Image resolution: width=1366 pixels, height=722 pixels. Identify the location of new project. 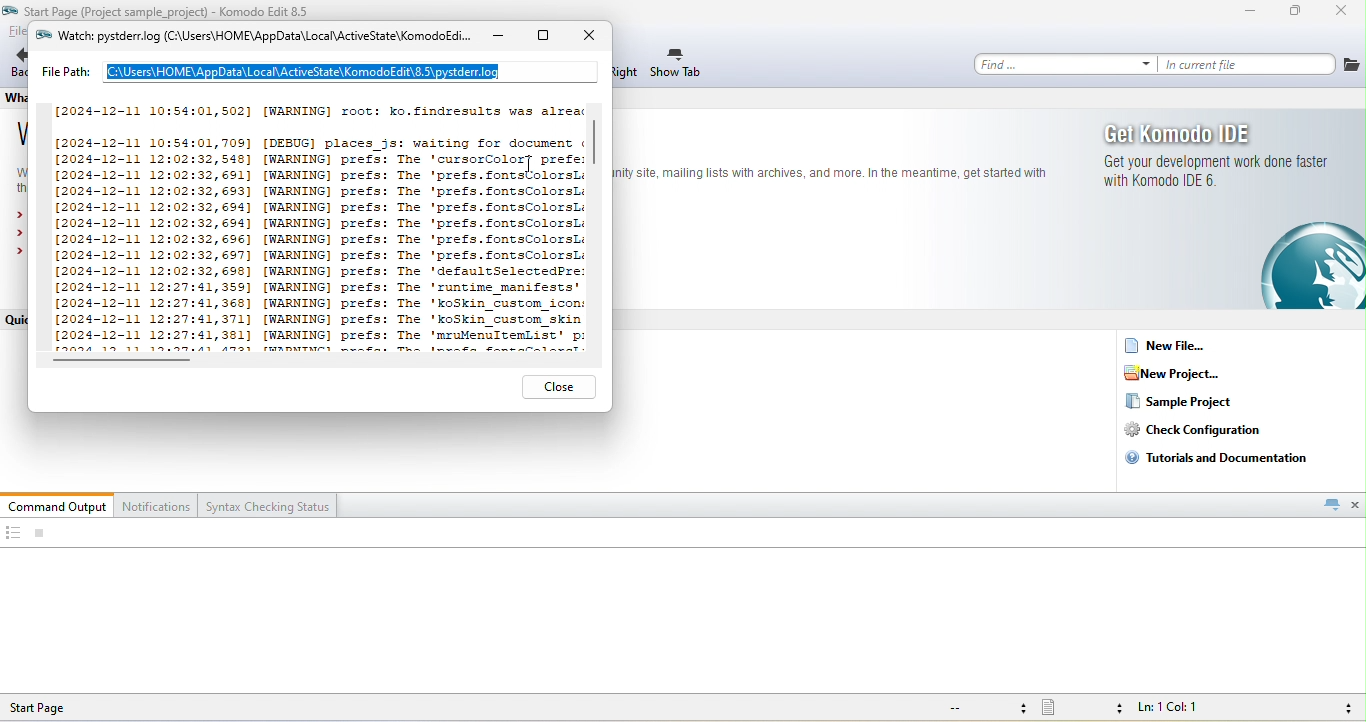
(1185, 373).